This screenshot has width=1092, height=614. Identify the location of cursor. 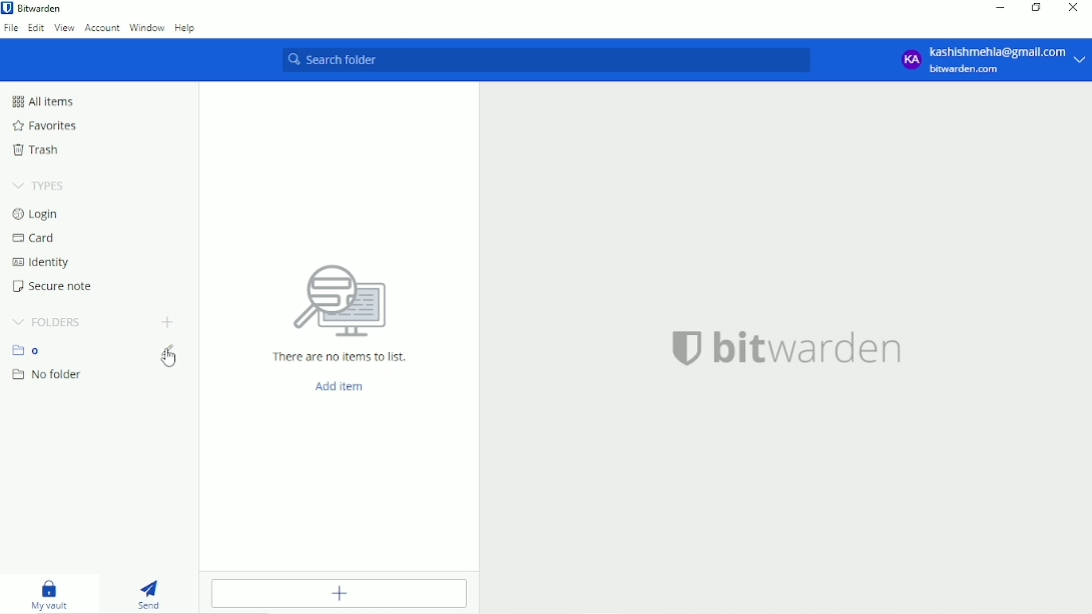
(169, 359).